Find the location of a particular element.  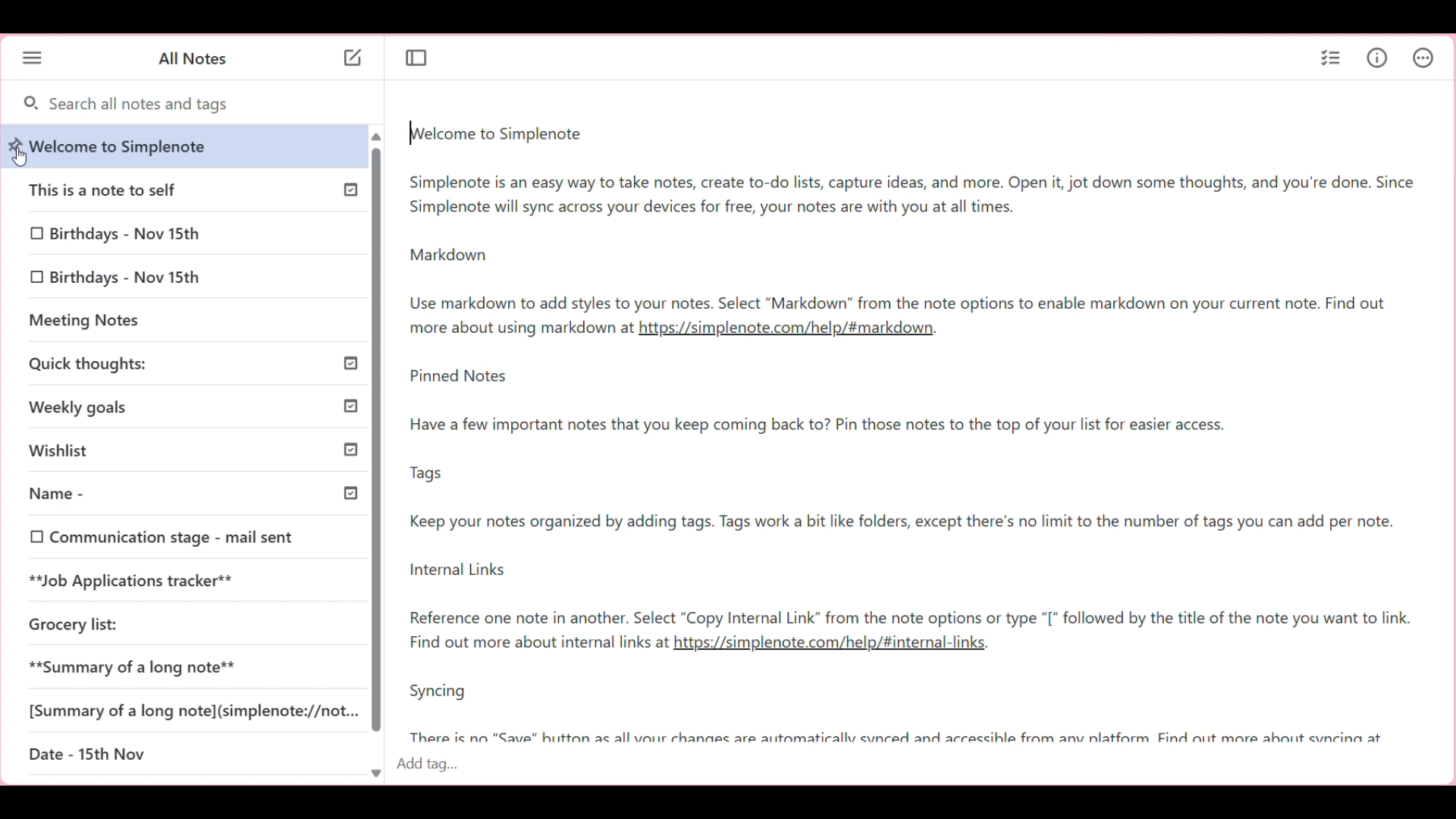

Syncing is located at coordinates (894, 711).